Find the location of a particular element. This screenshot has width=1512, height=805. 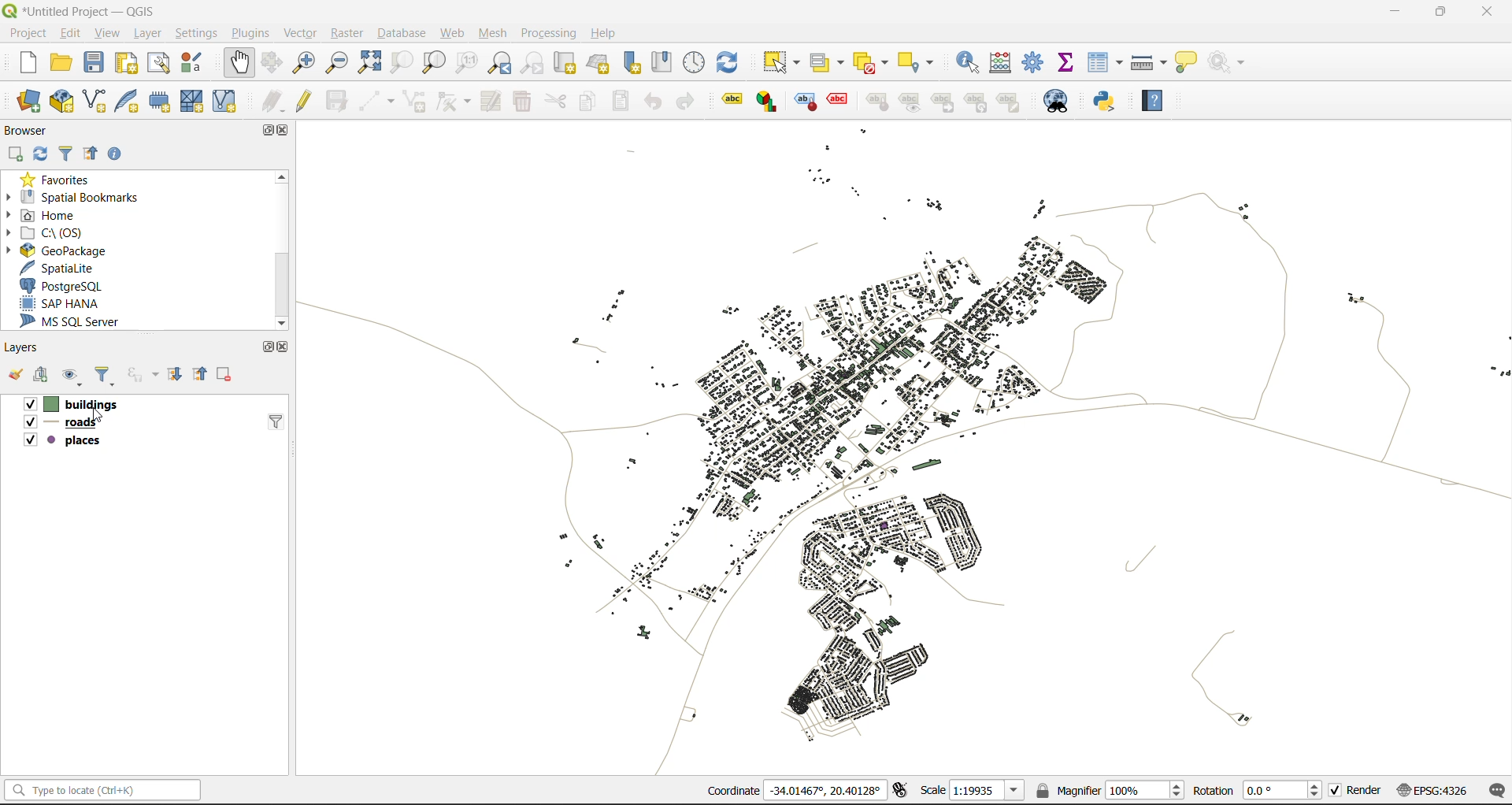

change label properties is located at coordinates (1008, 102).